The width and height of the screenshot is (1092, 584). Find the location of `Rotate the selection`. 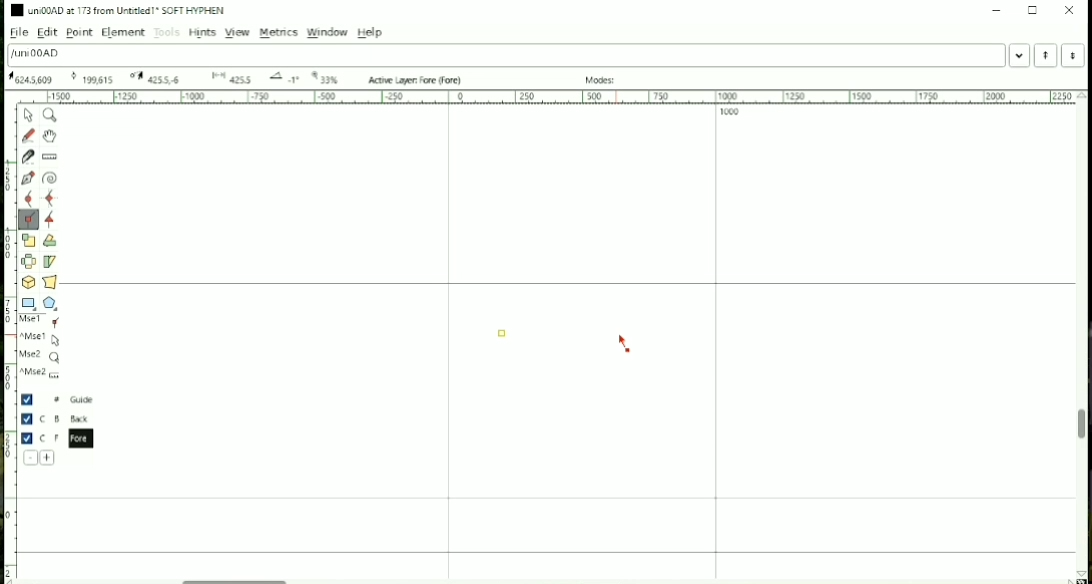

Rotate the selection is located at coordinates (50, 242).